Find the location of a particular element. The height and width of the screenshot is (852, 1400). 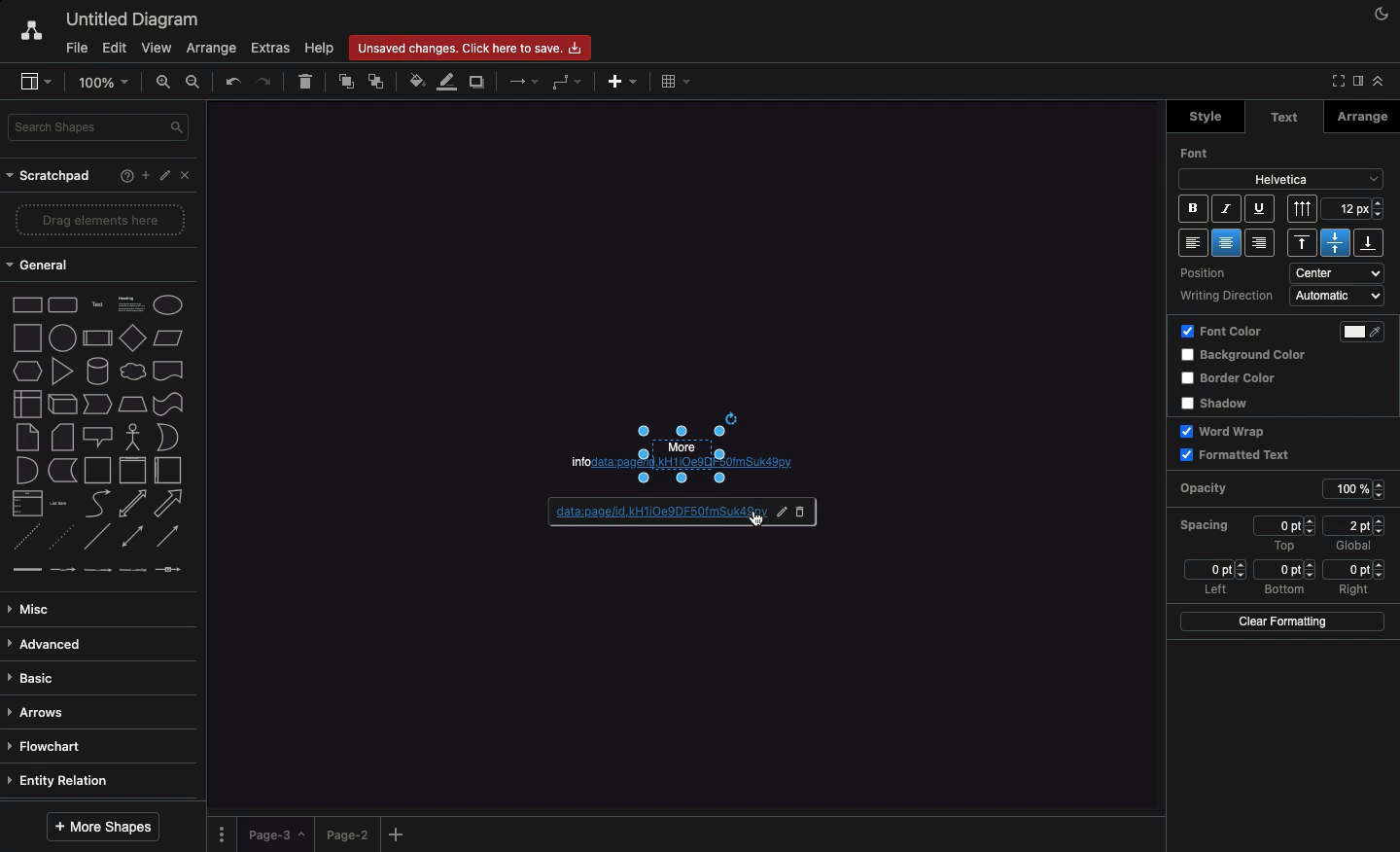

Undo is located at coordinates (233, 82).